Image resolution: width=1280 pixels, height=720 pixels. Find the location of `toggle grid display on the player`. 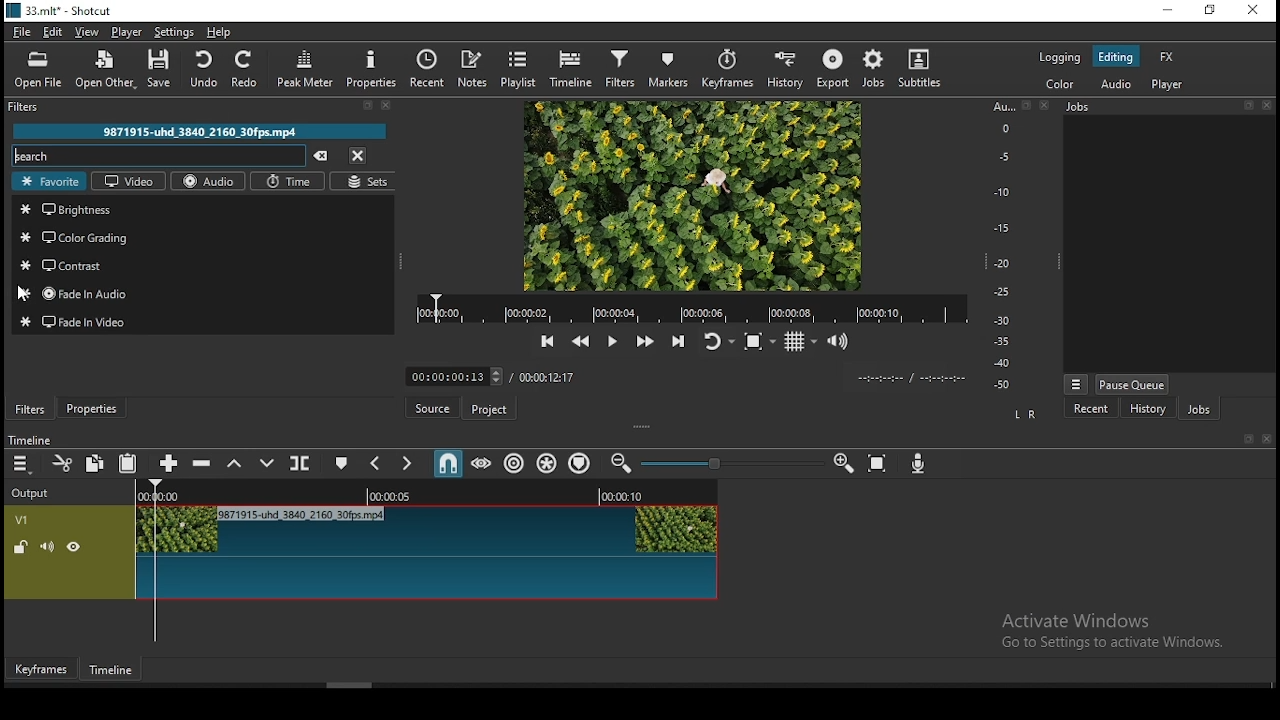

toggle grid display on the player is located at coordinates (799, 341).